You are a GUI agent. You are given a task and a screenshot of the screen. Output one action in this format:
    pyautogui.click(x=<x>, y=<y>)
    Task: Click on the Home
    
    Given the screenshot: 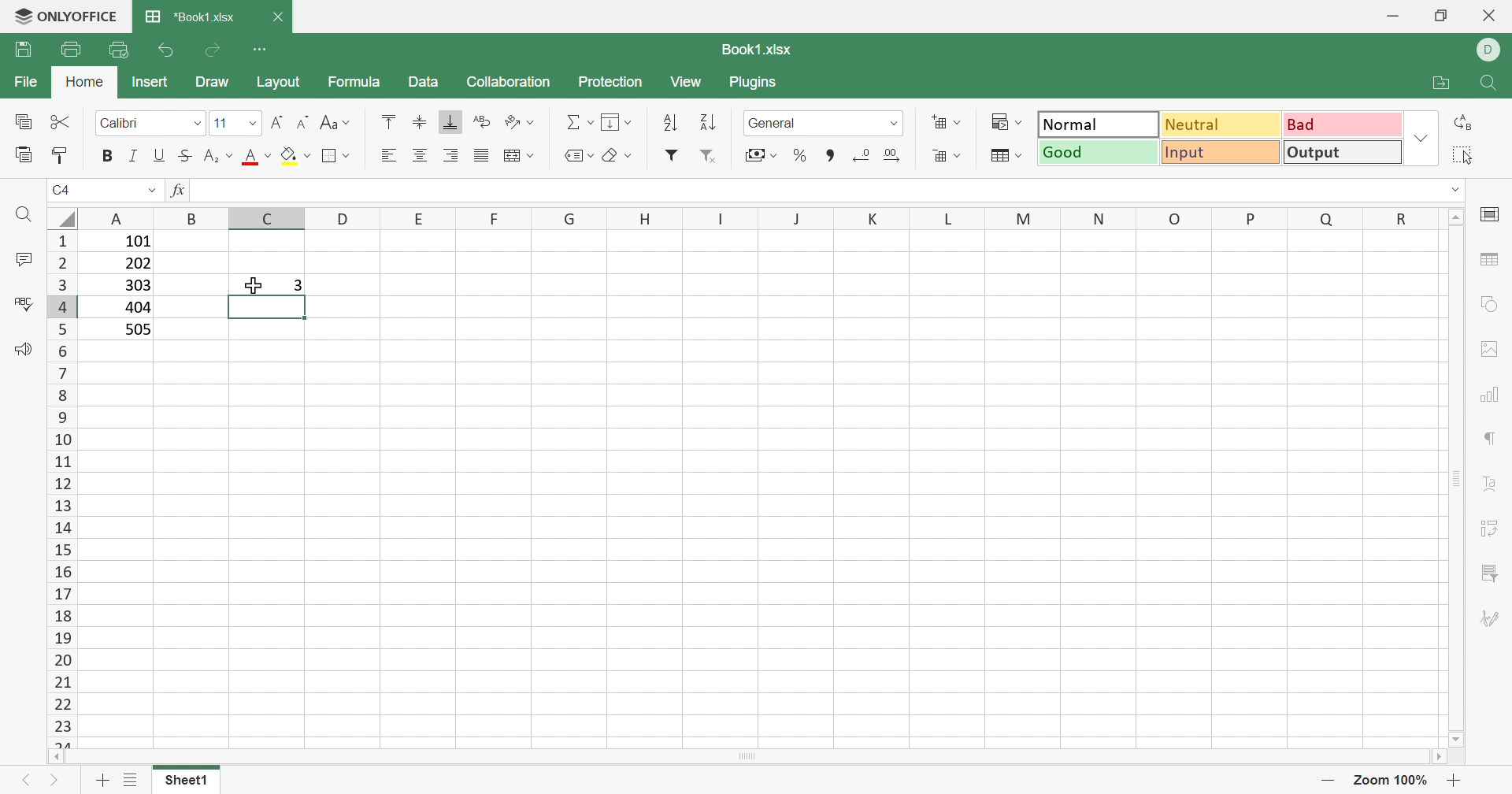 What is the action you would take?
    pyautogui.click(x=87, y=84)
    